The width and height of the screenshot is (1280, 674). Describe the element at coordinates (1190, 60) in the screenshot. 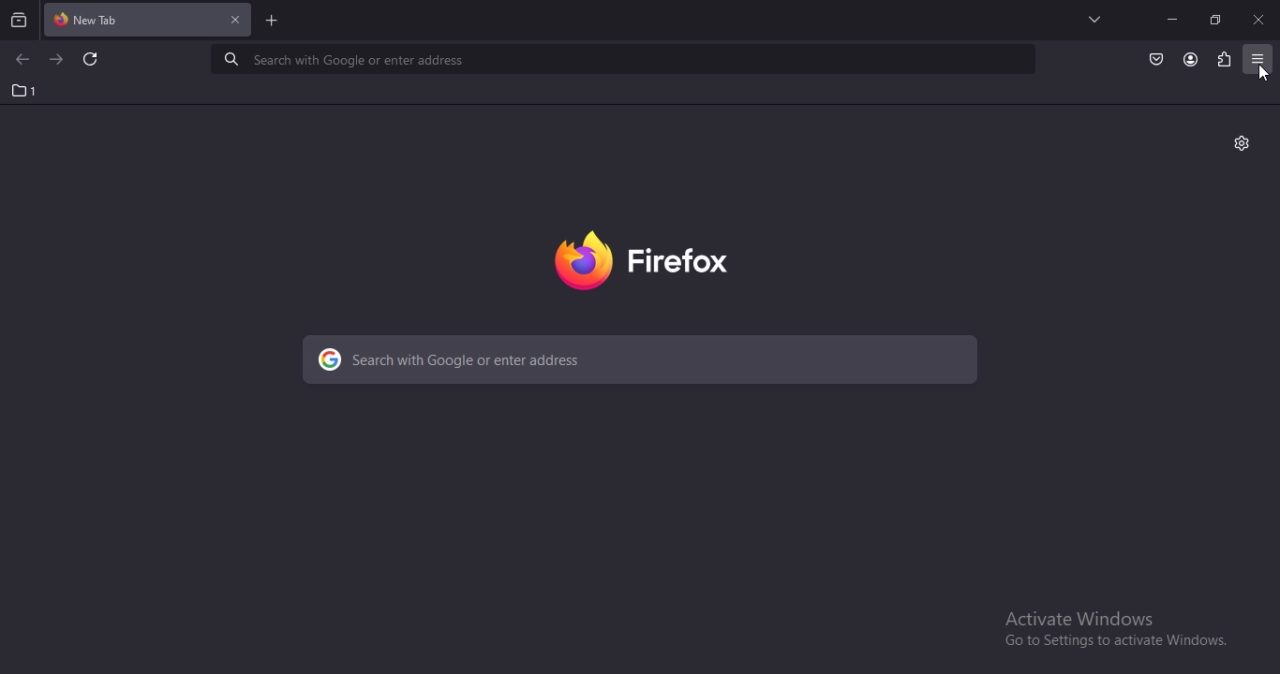

I see `account` at that location.